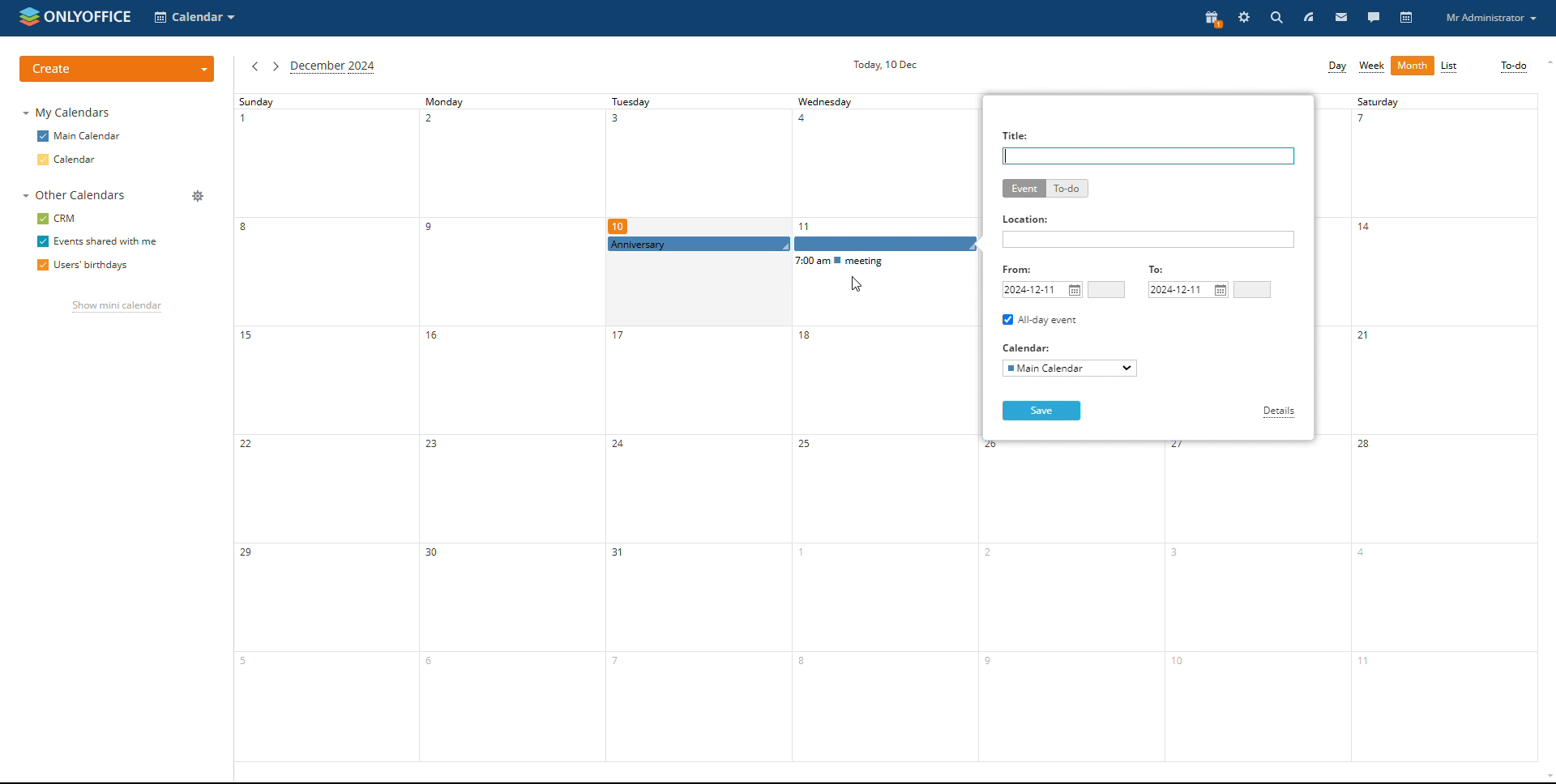 This screenshot has width=1556, height=784. Describe the element at coordinates (254, 66) in the screenshot. I see `previous month` at that location.